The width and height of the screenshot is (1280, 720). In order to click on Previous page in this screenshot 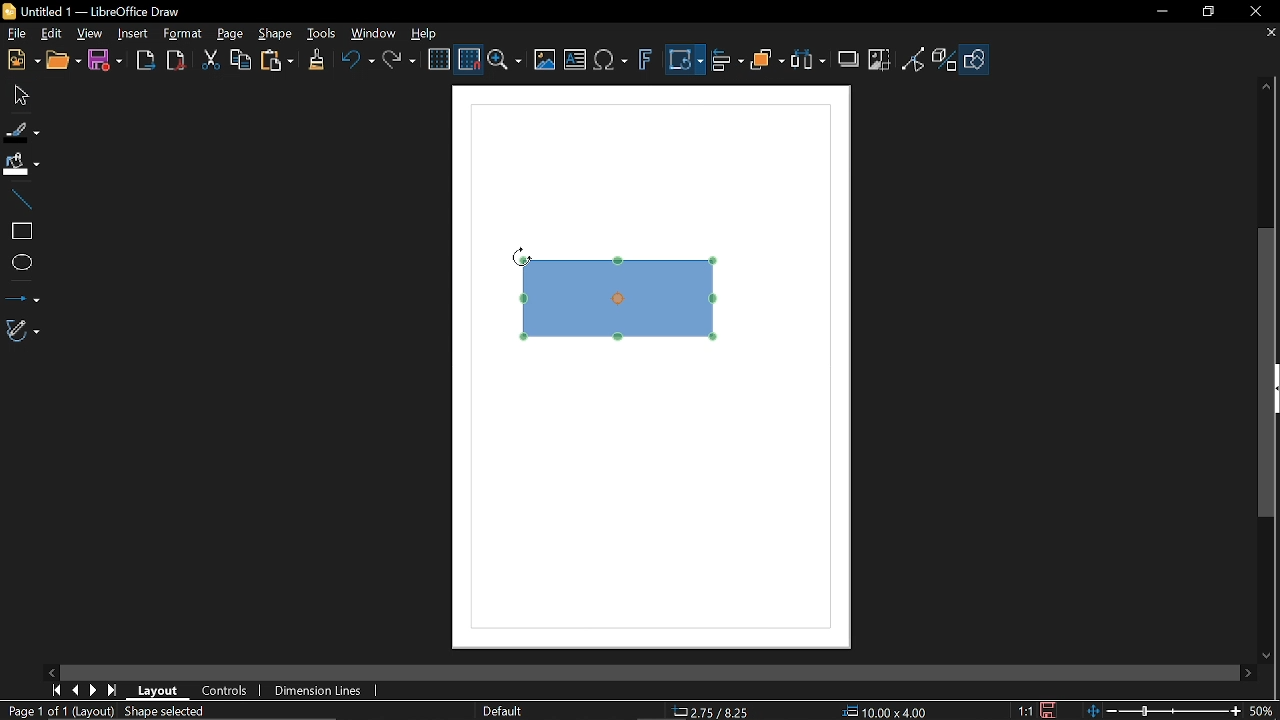, I will do `click(74, 691)`.